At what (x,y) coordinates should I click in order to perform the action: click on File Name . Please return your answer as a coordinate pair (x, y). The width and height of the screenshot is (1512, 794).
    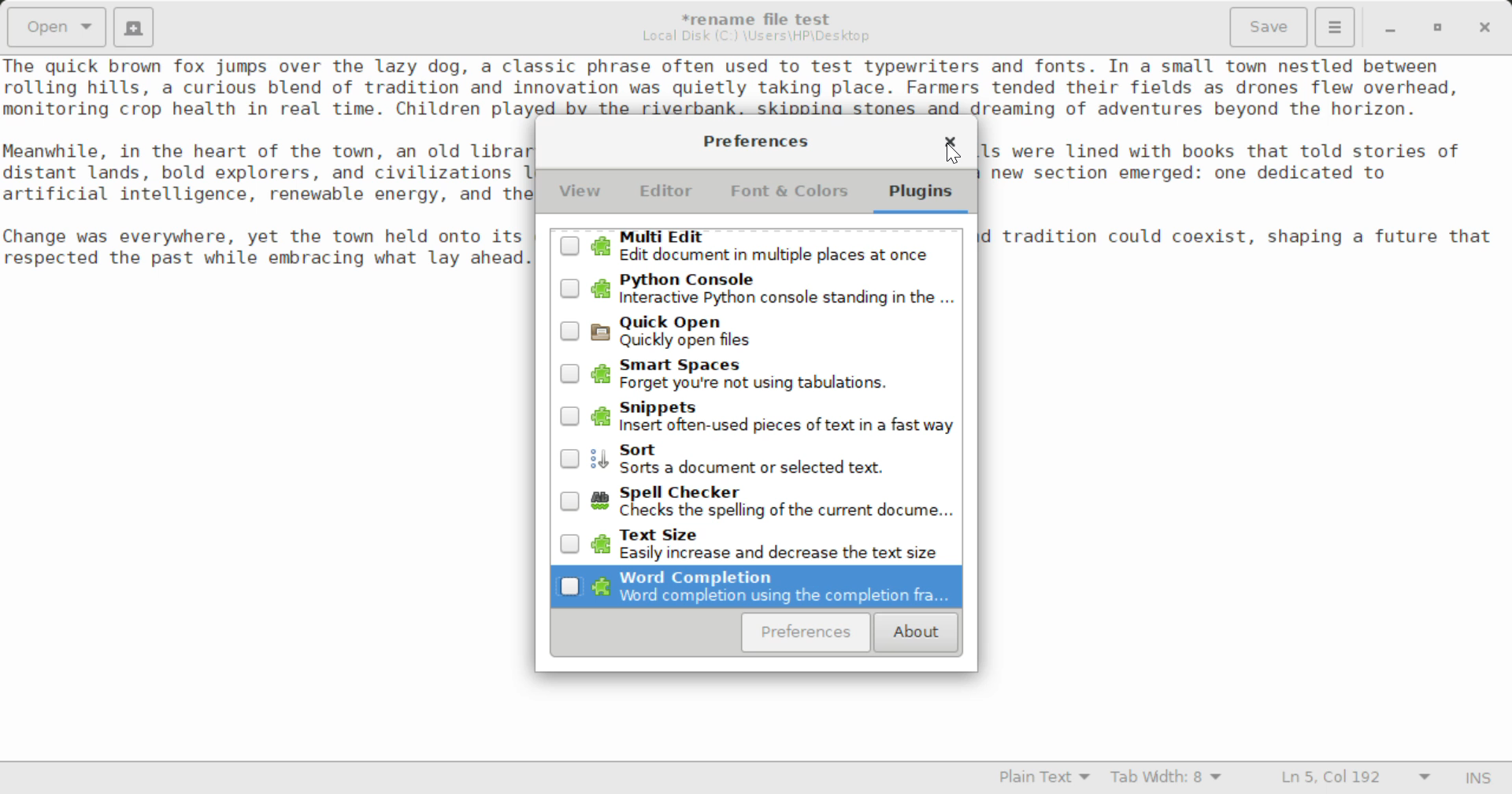
    Looking at the image, I should click on (761, 17).